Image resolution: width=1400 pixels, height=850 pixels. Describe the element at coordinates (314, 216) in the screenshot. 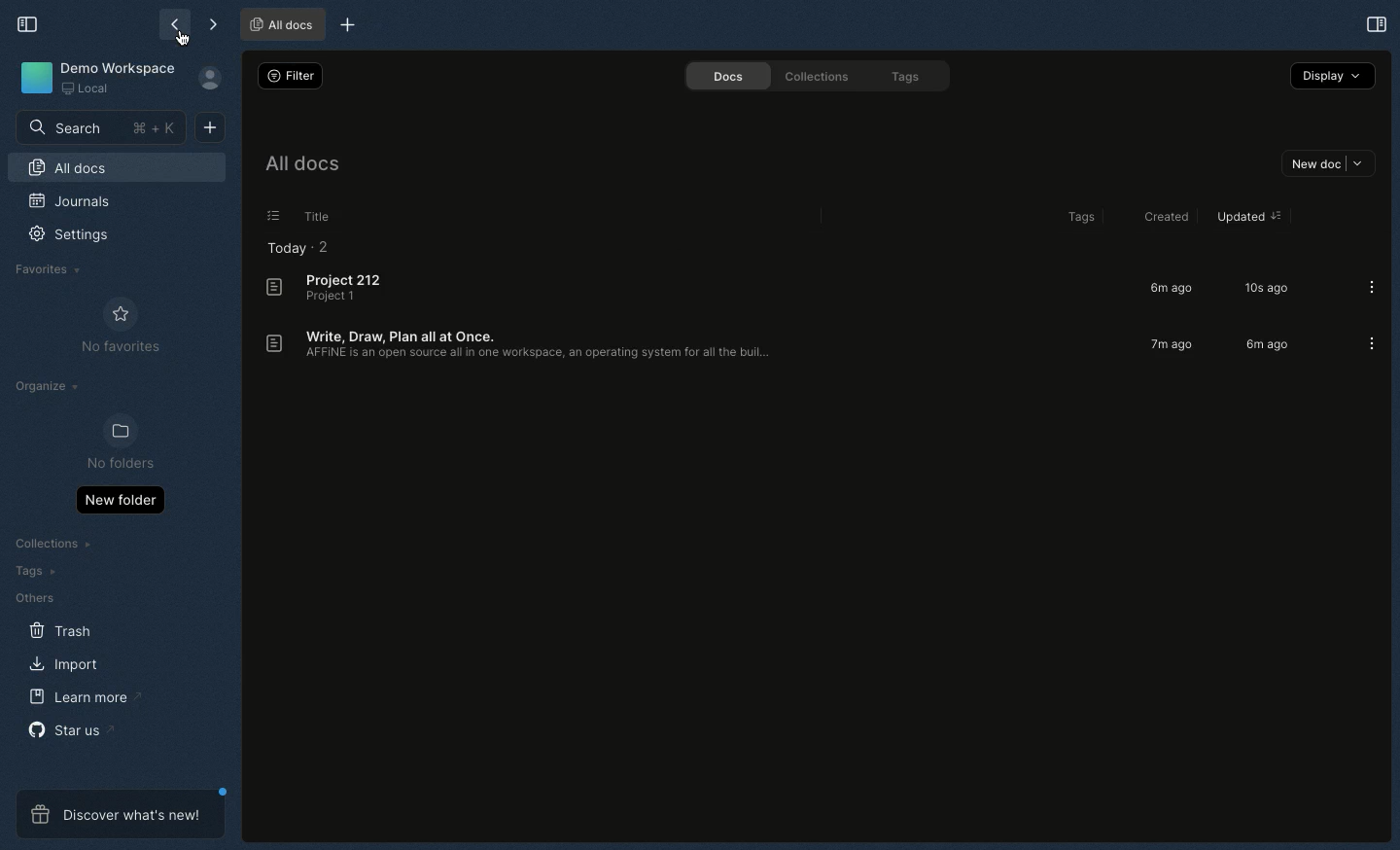

I see `Title` at that location.